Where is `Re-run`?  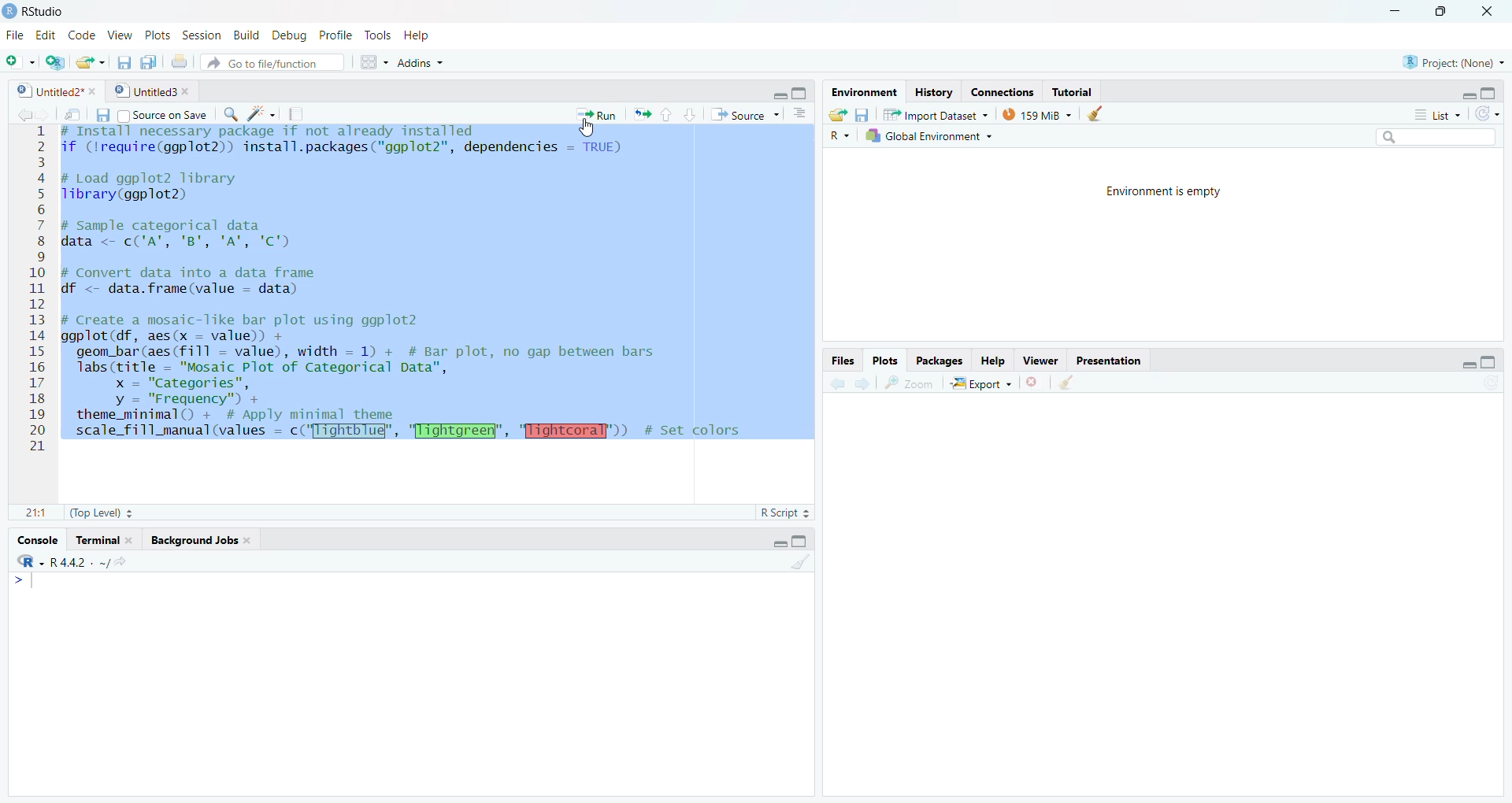
Re-run is located at coordinates (641, 115).